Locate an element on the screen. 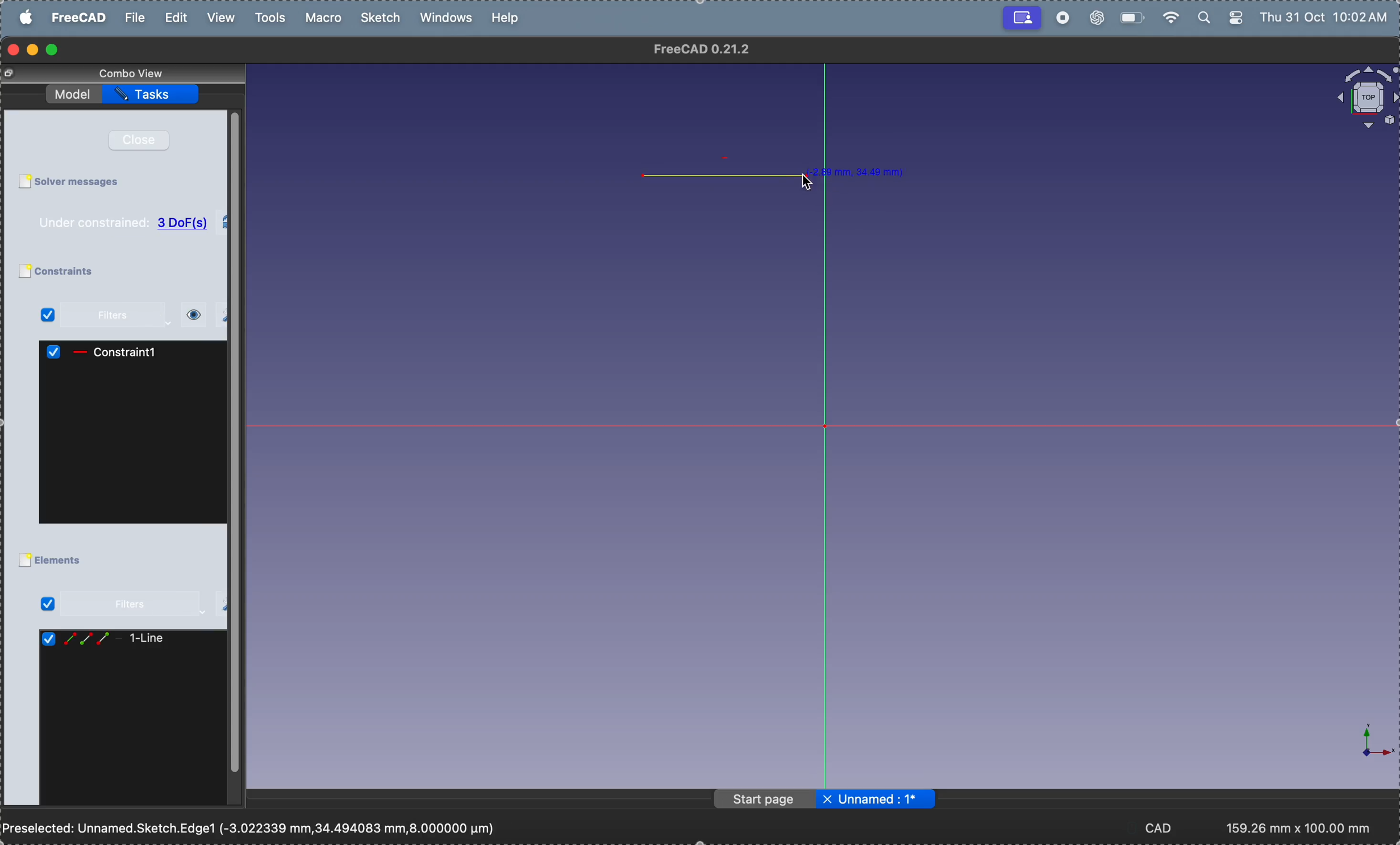  combo view is located at coordinates (135, 73).